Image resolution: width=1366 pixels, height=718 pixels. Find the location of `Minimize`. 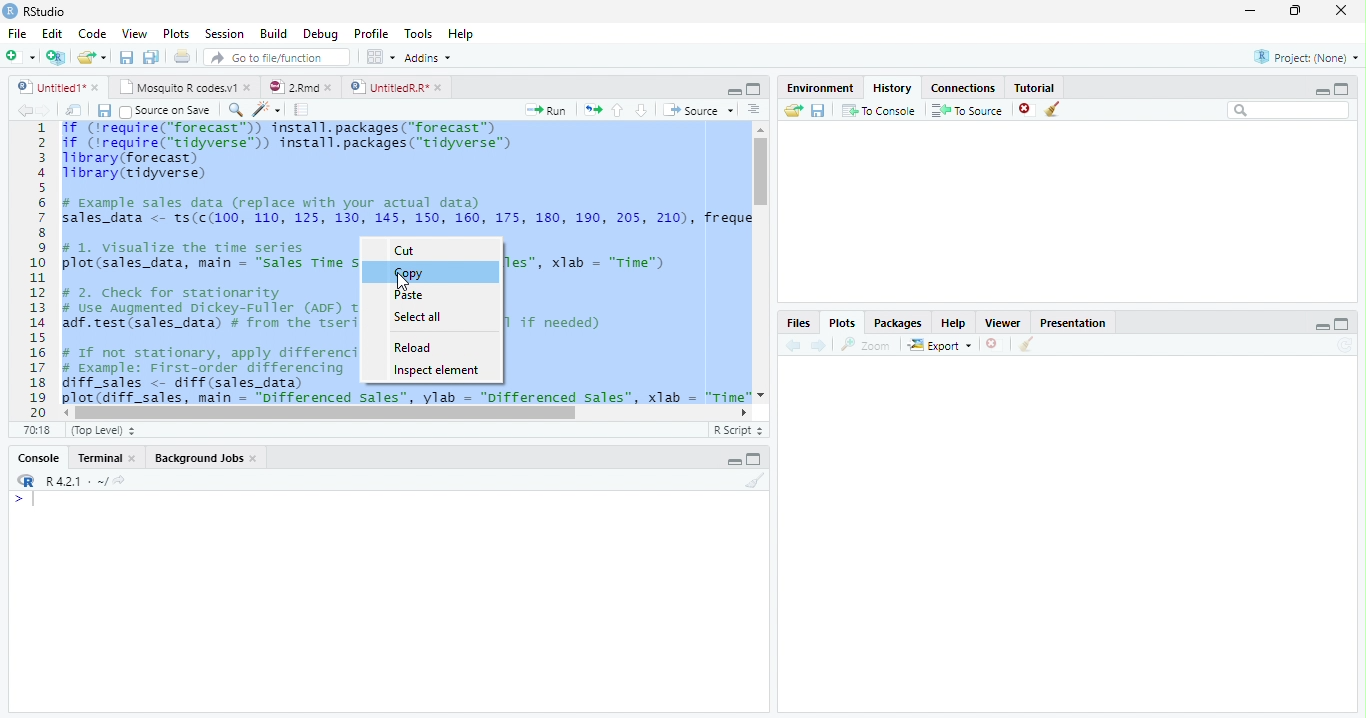

Minimize is located at coordinates (731, 460).